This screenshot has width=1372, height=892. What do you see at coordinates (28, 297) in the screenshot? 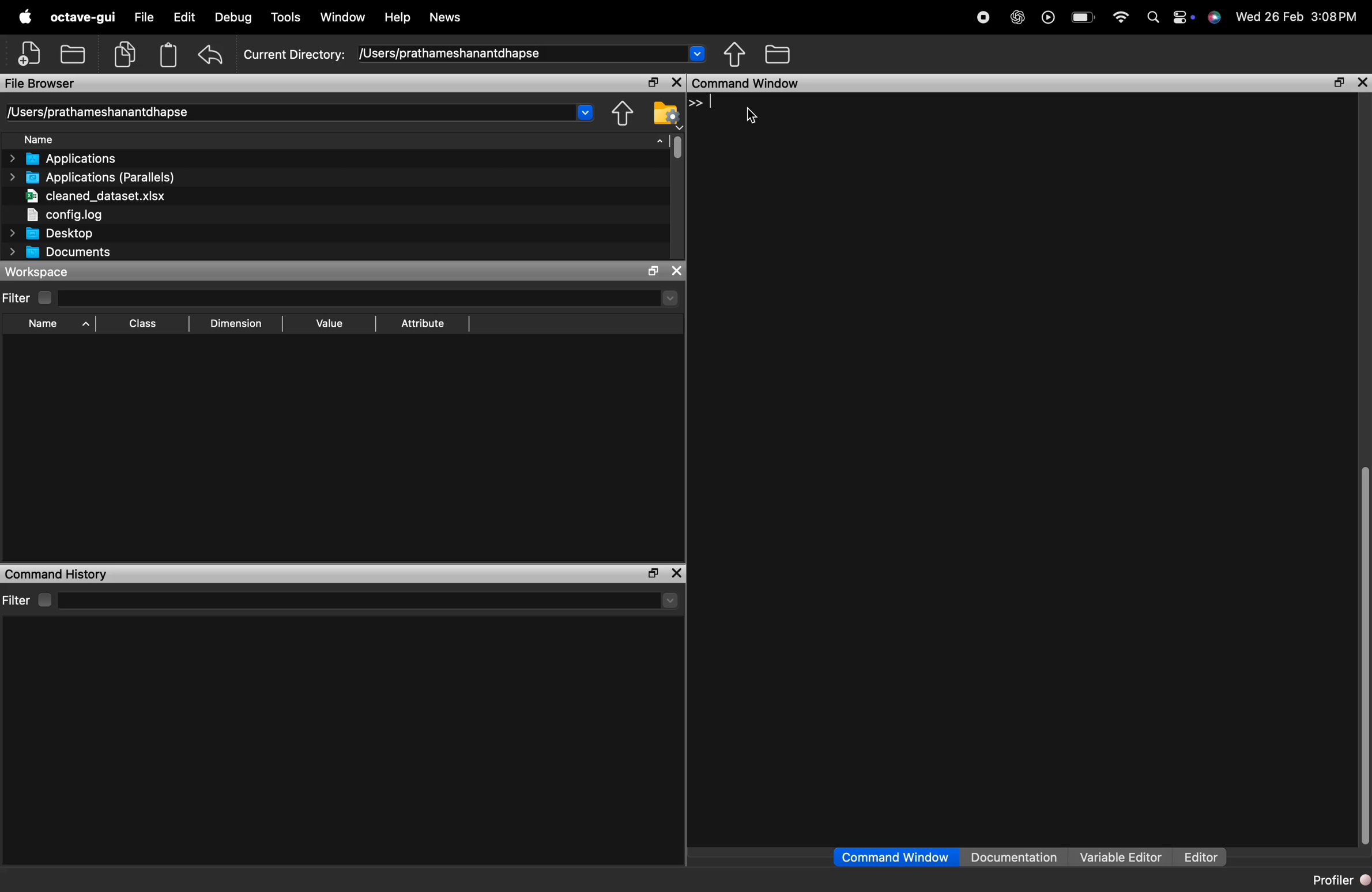
I see `Filter` at bounding box center [28, 297].